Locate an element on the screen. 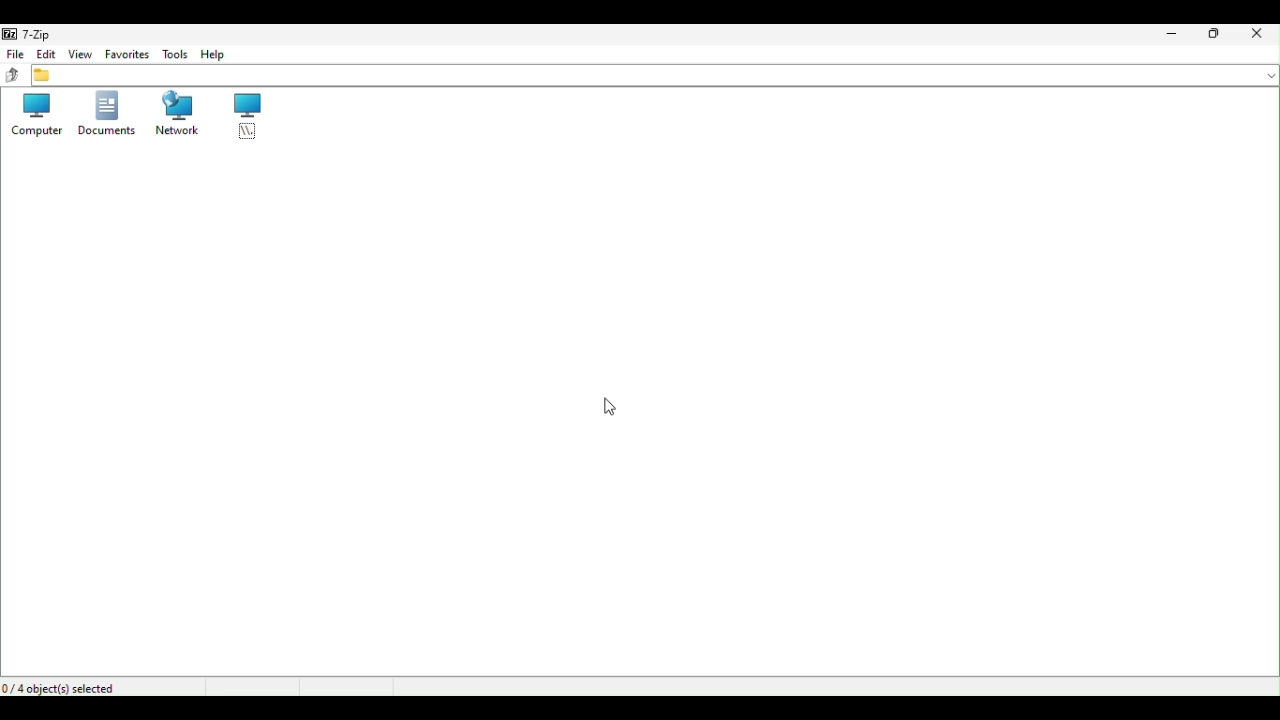 Image resolution: width=1280 pixels, height=720 pixels. restore is located at coordinates (1215, 35).